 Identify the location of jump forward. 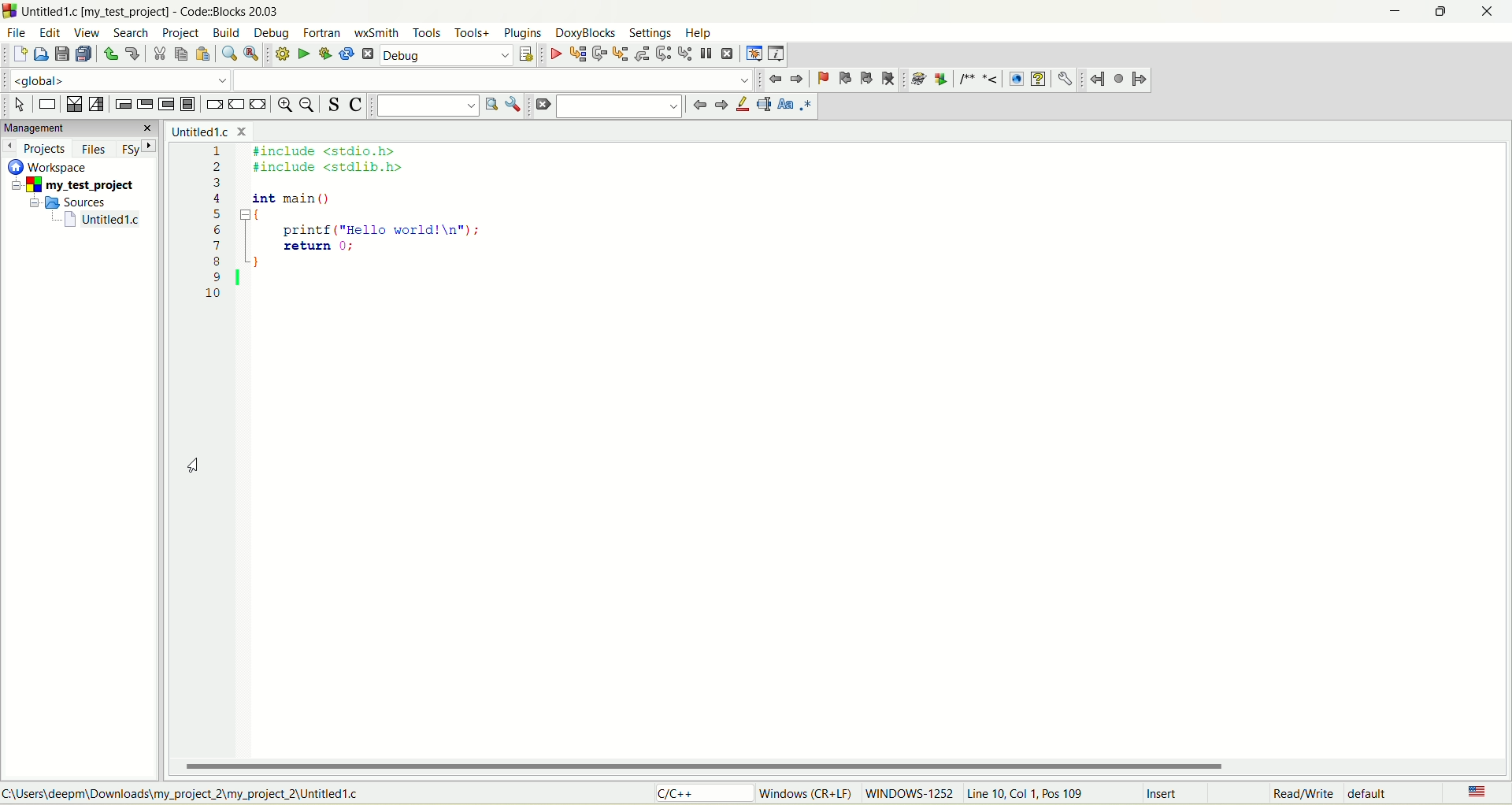
(798, 80).